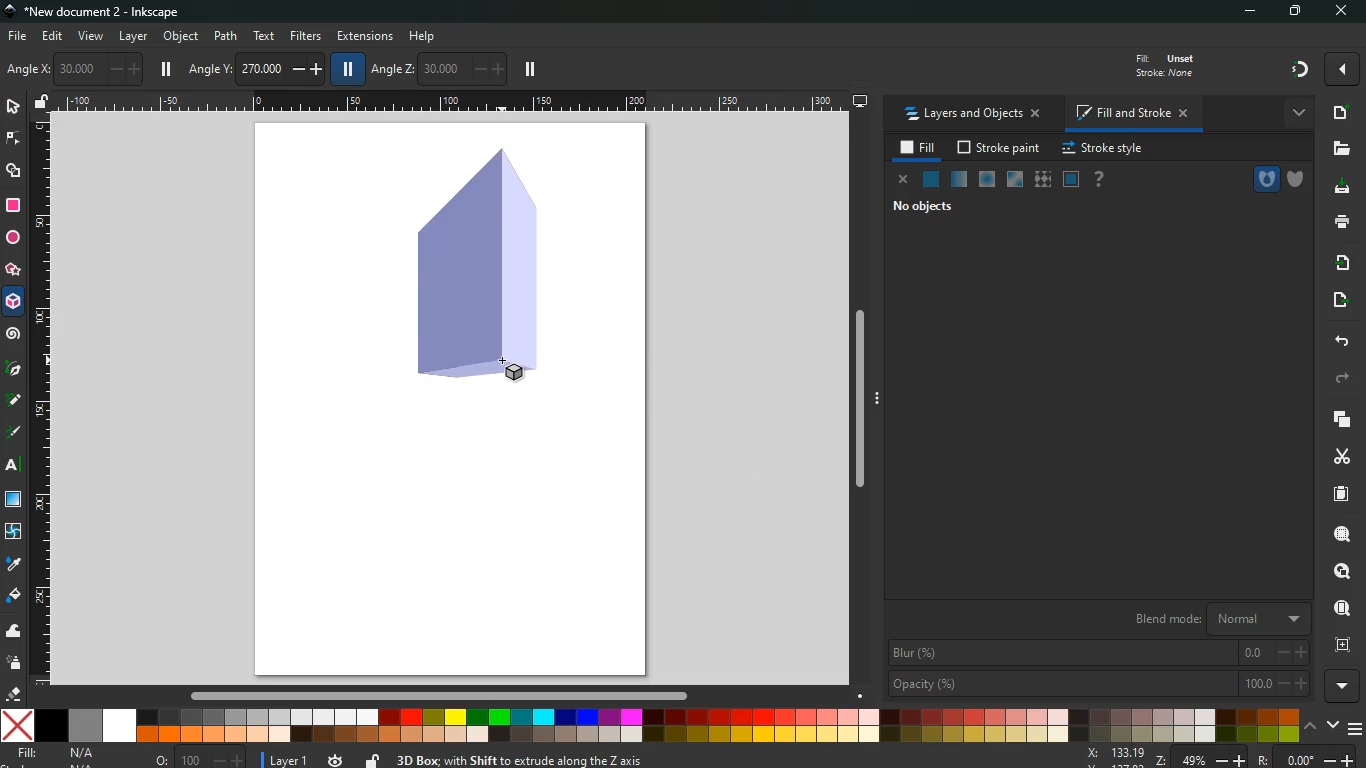  Describe the element at coordinates (14, 662) in the screenshot. I see `spray` at that location.